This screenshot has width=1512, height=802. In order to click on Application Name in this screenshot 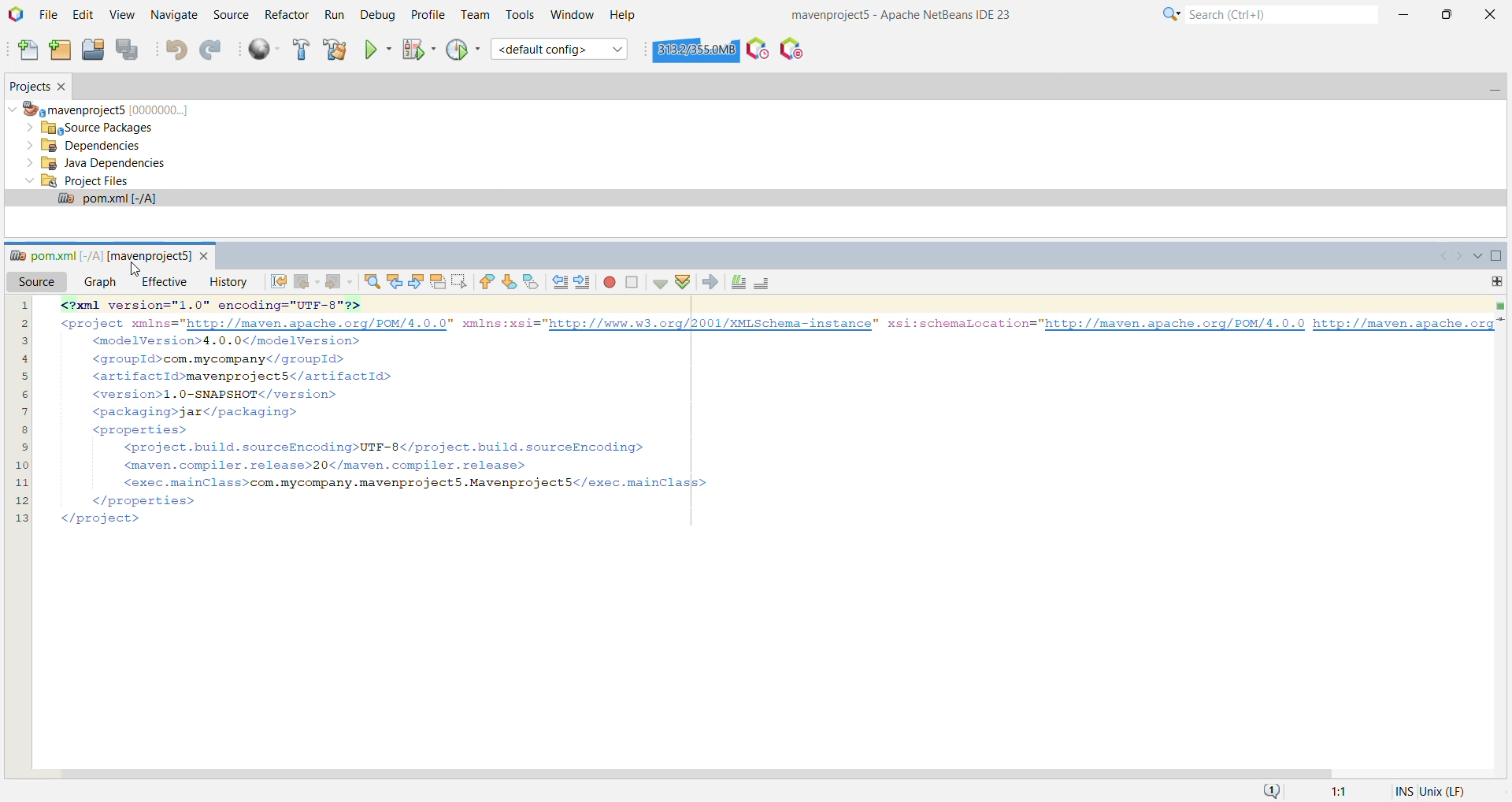, I will do `click(910, 13)`.